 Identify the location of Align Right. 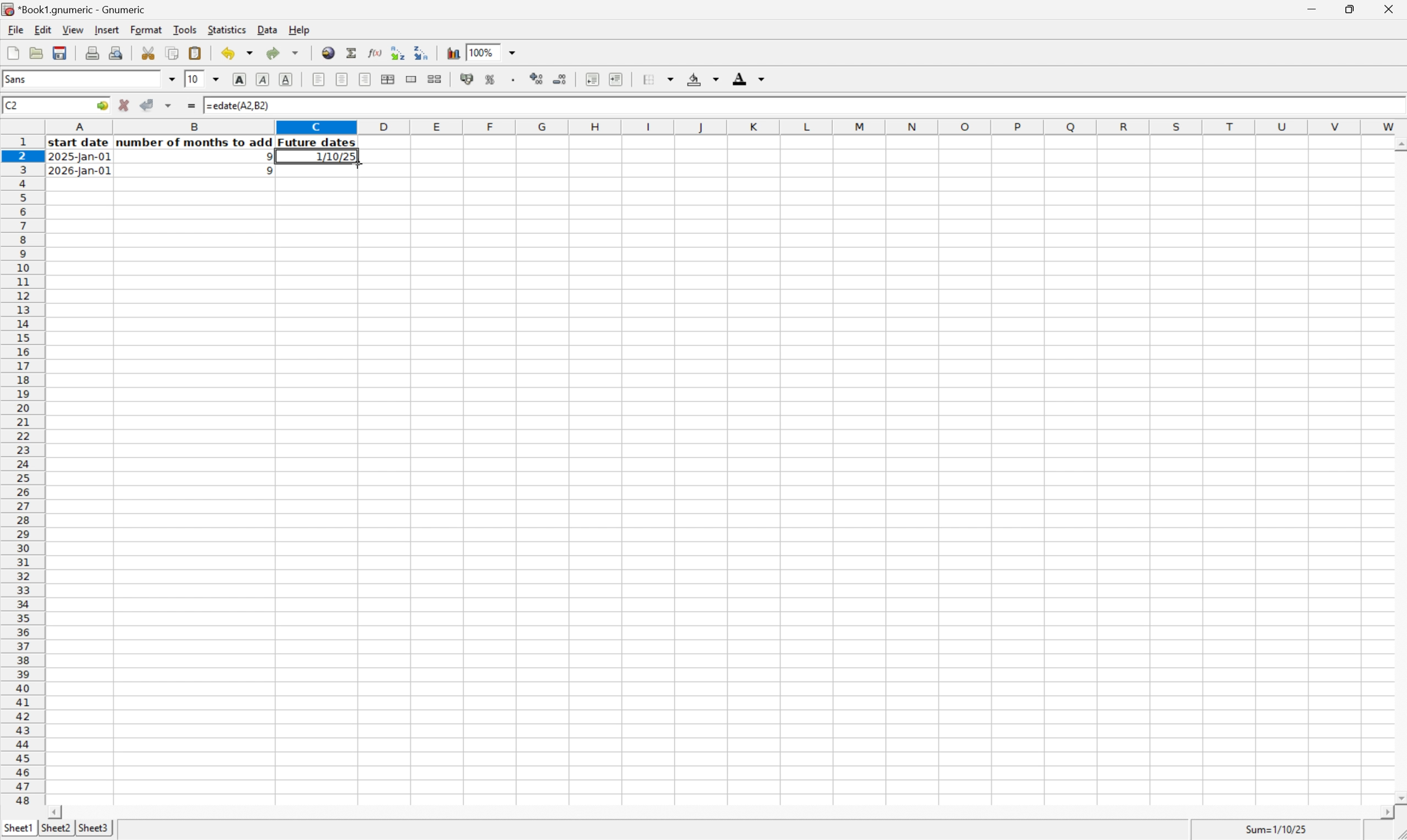
(365, 79).